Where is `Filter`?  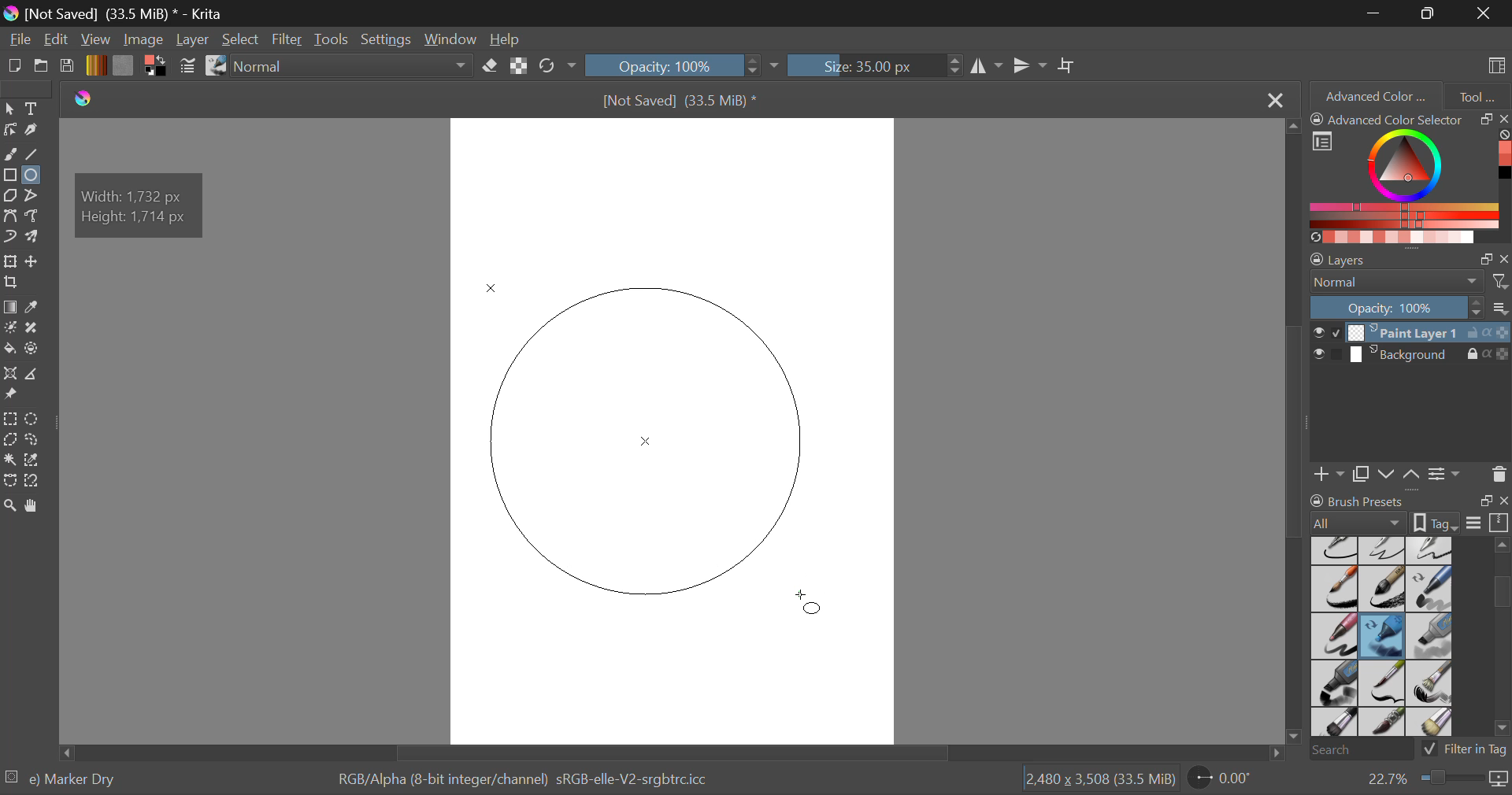 Filter is located at coordinates (289, 40).